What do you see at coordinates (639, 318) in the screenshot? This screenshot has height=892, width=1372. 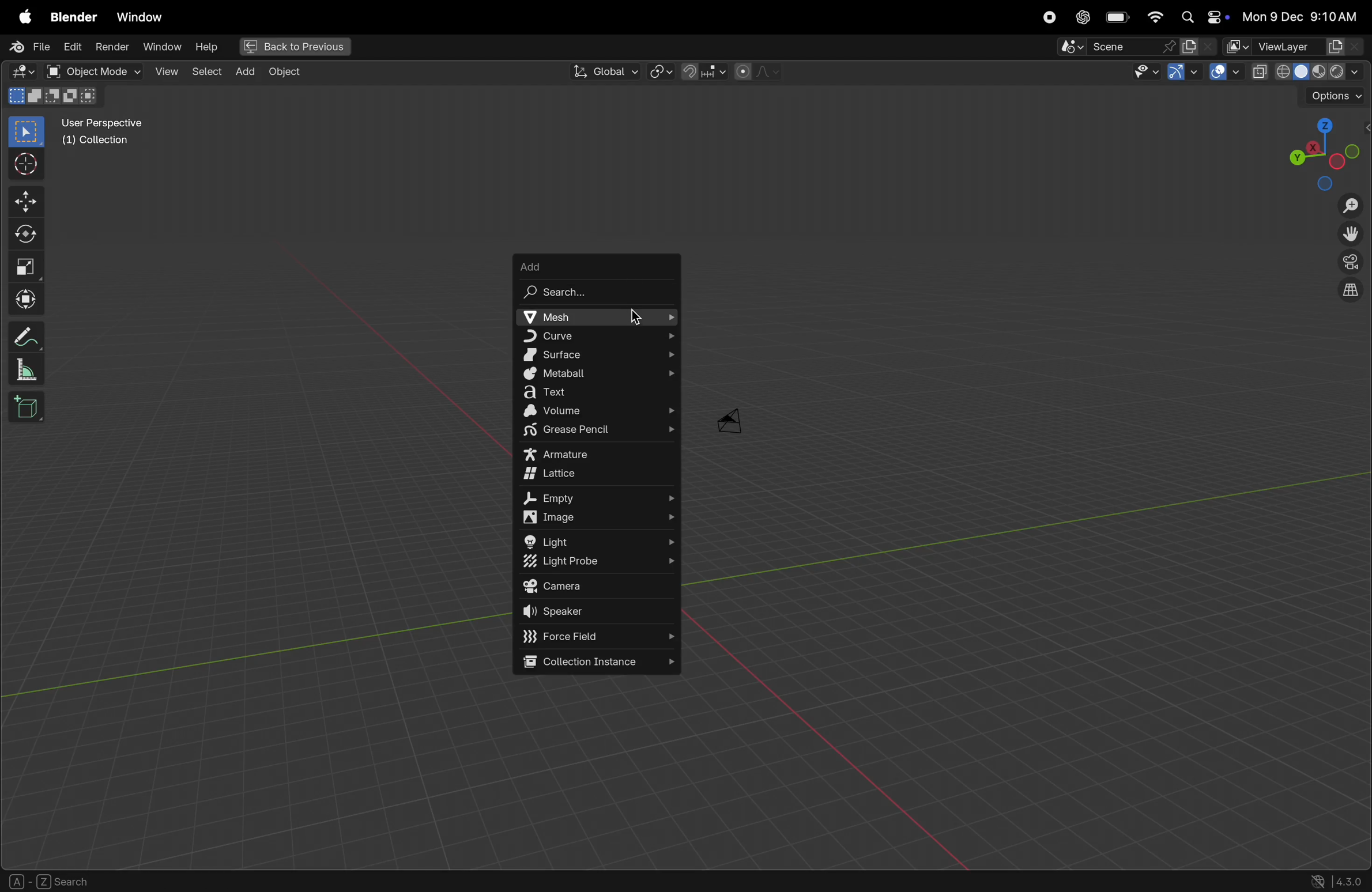 I see `cursor` at bounding box center [639, 318].